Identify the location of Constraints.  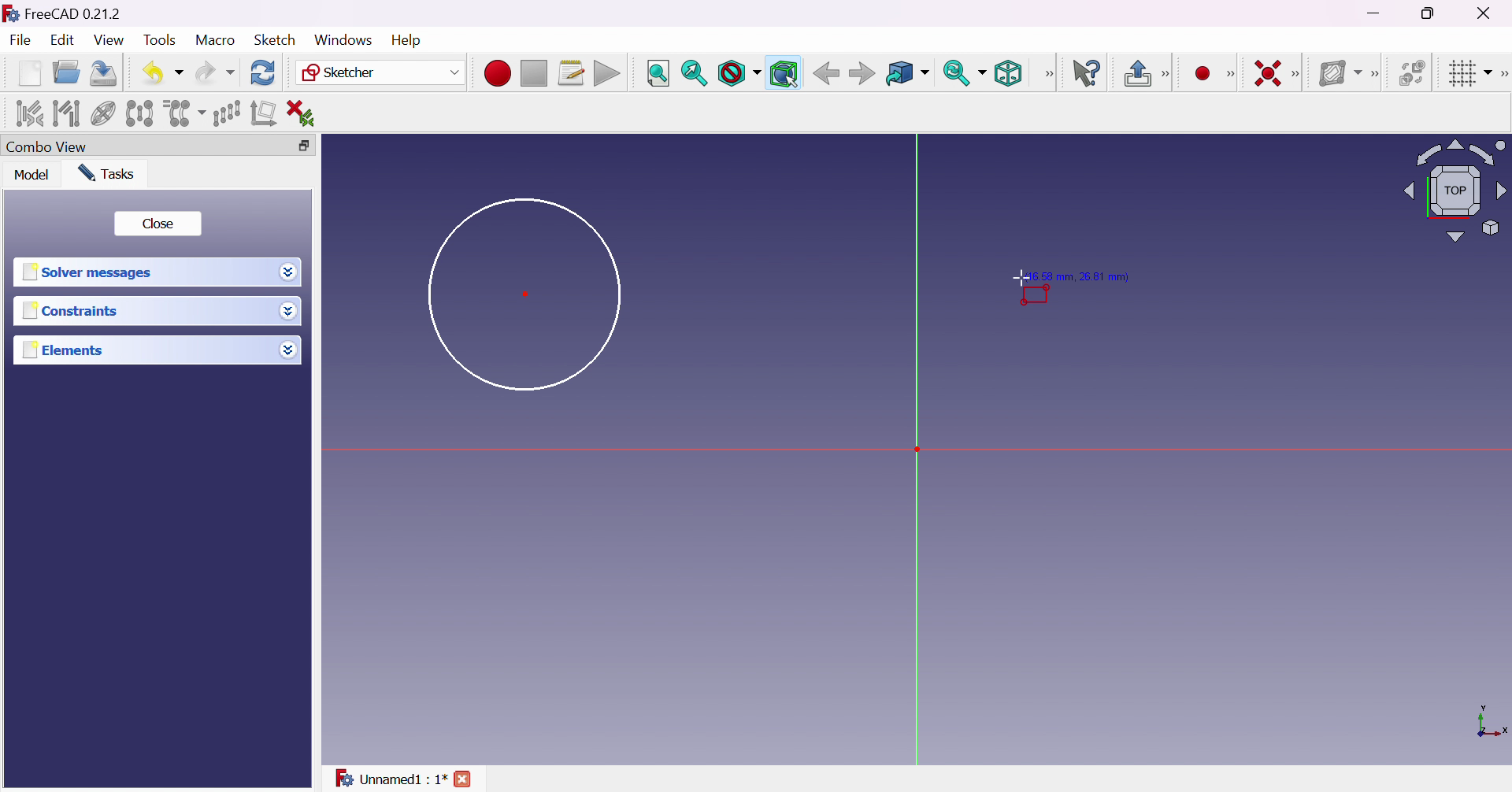
(71, 312).